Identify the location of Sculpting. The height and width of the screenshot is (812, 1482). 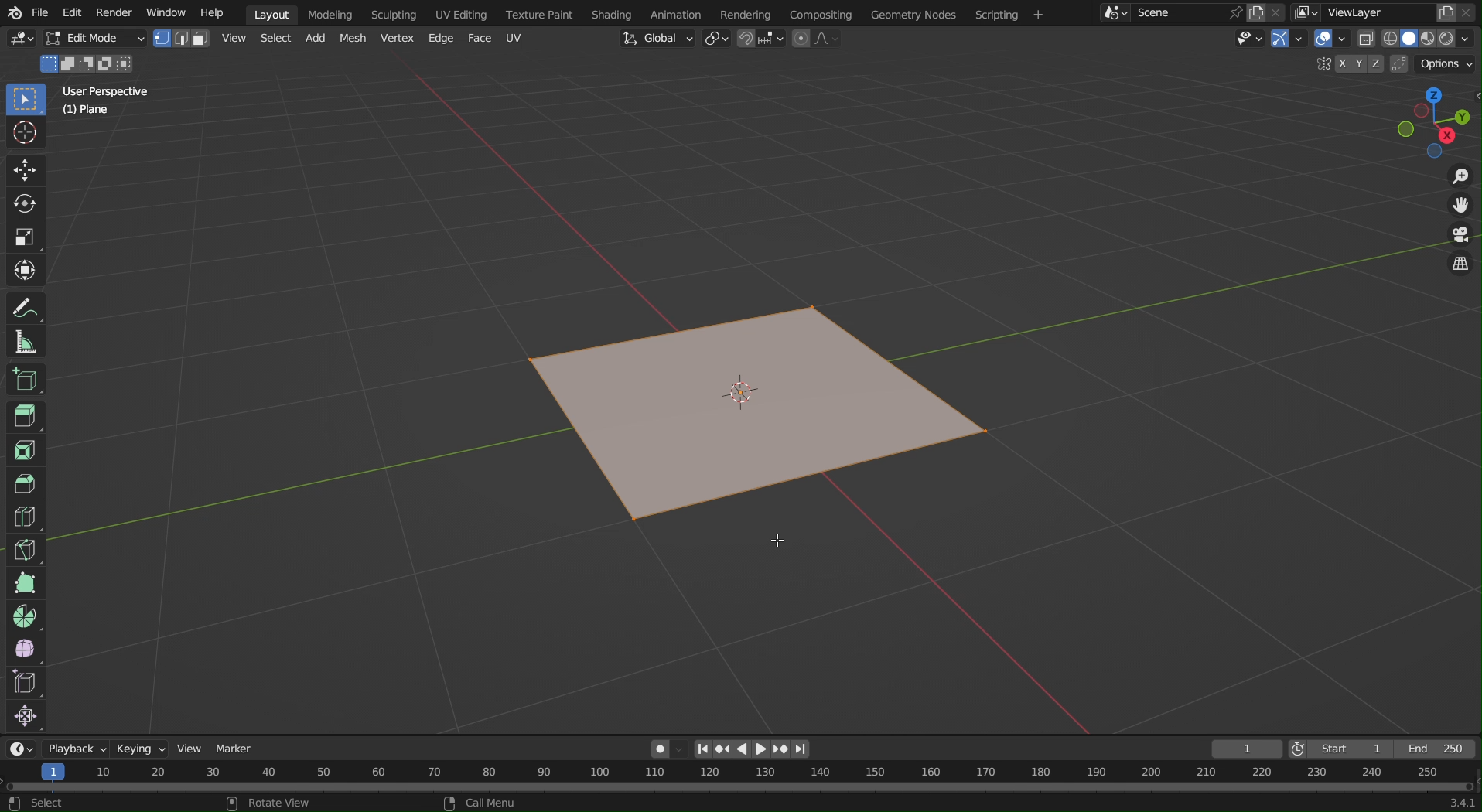
(394, 13).